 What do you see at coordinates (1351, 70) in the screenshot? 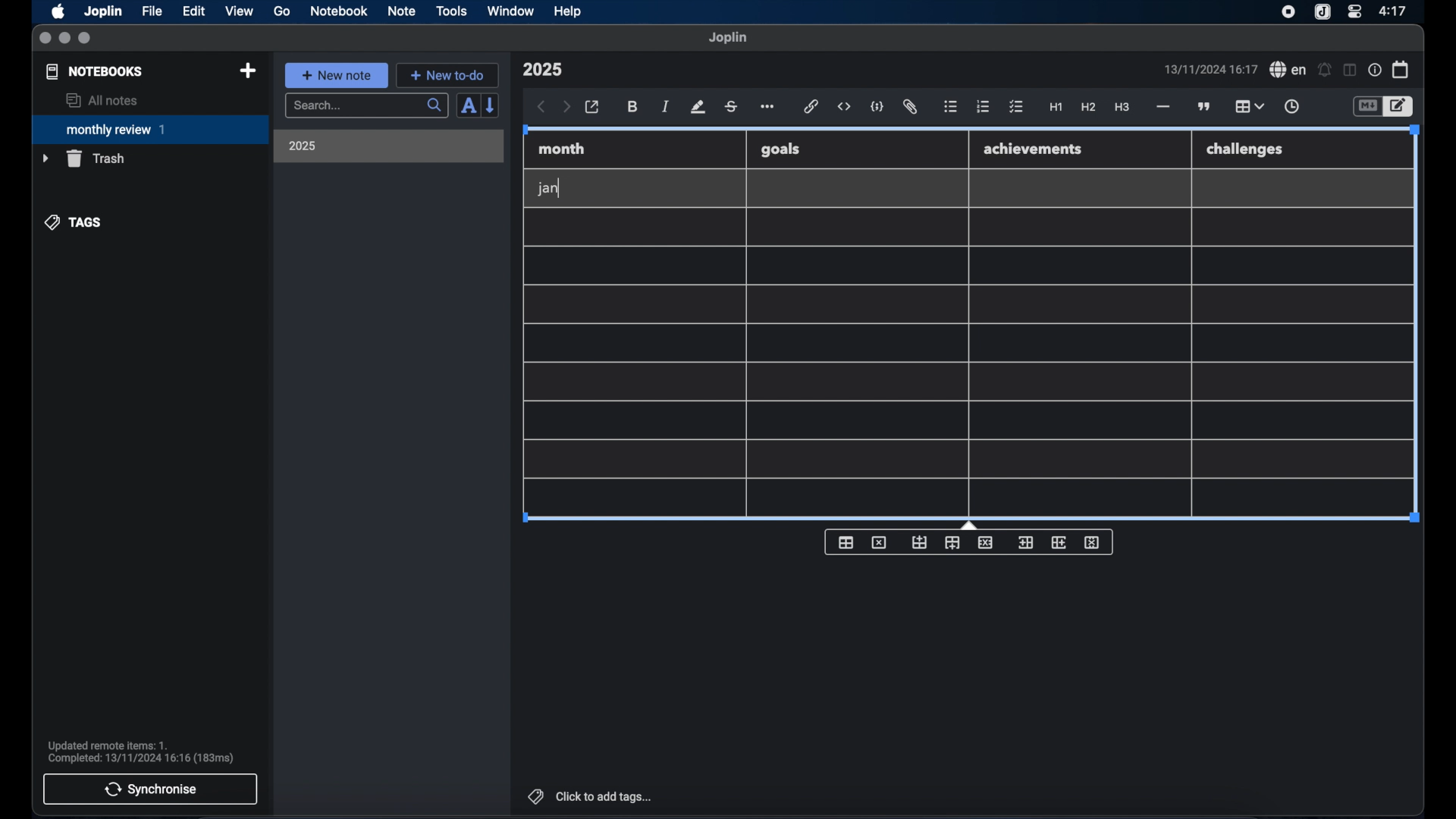
I see `toggle editor layout` at bounding box center [1351, 70].